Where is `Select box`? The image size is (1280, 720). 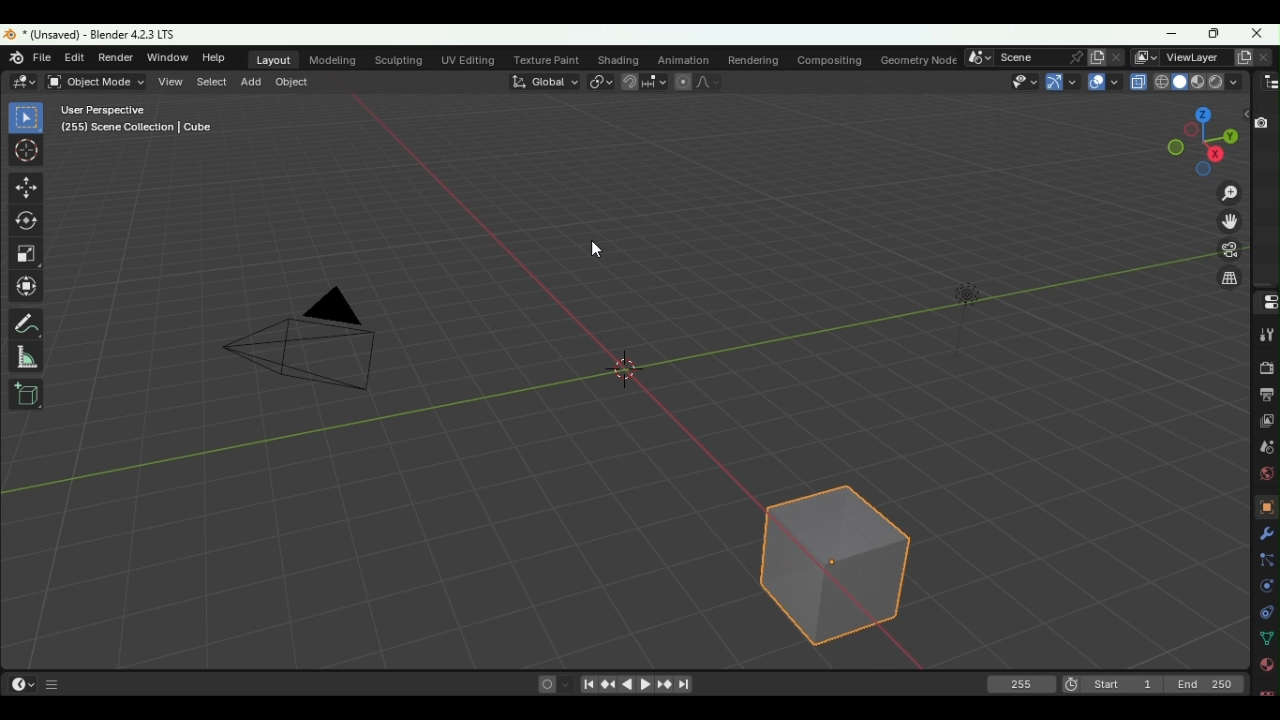
Select box is located at coordinates (27, 118).